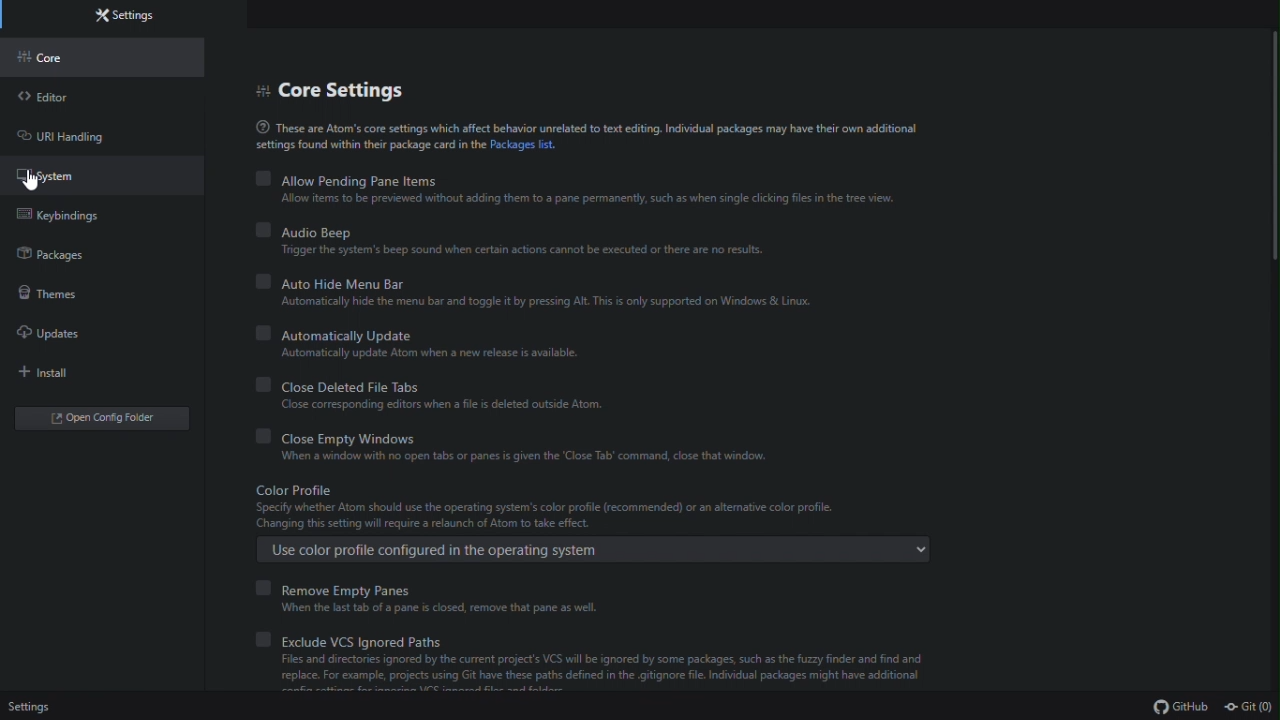 This screenshot has width=1280, height=720. What do you see at coordinates (433, 335) in the screenshot?
I see `Automatically update` at bounding box center [433, 335].